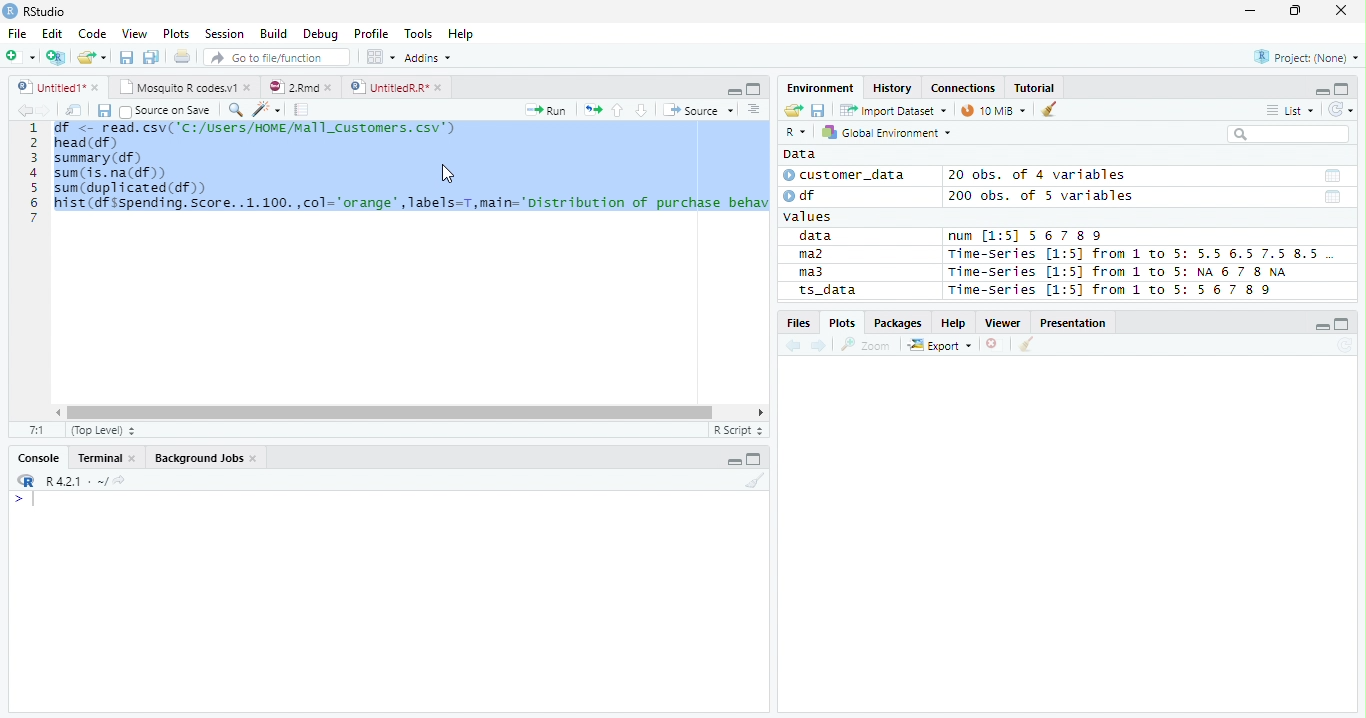 This screenshot has height=718, width=1366. I want to click on Maximize, so click(756, 460).